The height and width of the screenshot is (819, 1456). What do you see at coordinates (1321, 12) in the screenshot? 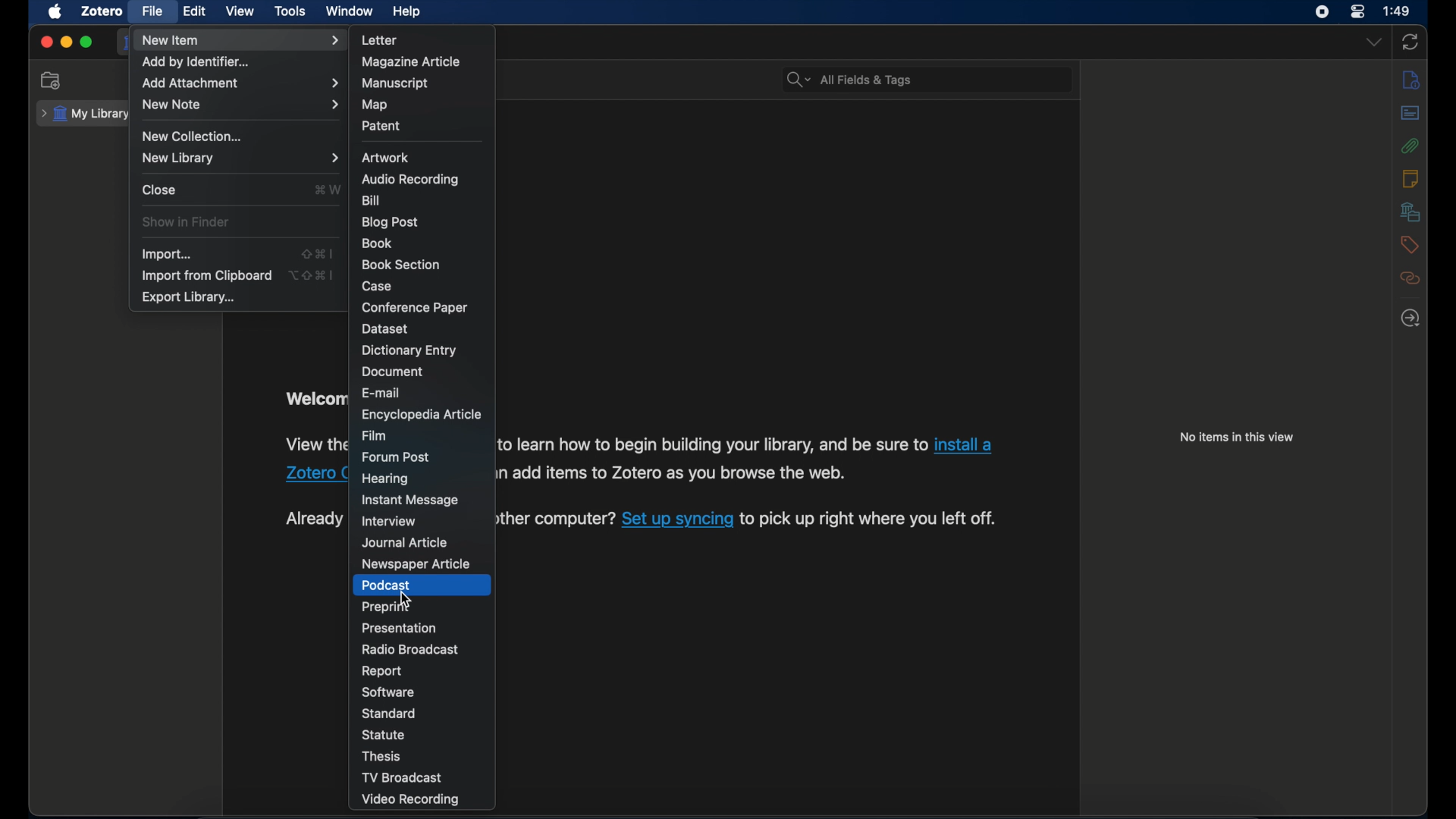
I see `screen recorder` at bounding box center [1321, 12].